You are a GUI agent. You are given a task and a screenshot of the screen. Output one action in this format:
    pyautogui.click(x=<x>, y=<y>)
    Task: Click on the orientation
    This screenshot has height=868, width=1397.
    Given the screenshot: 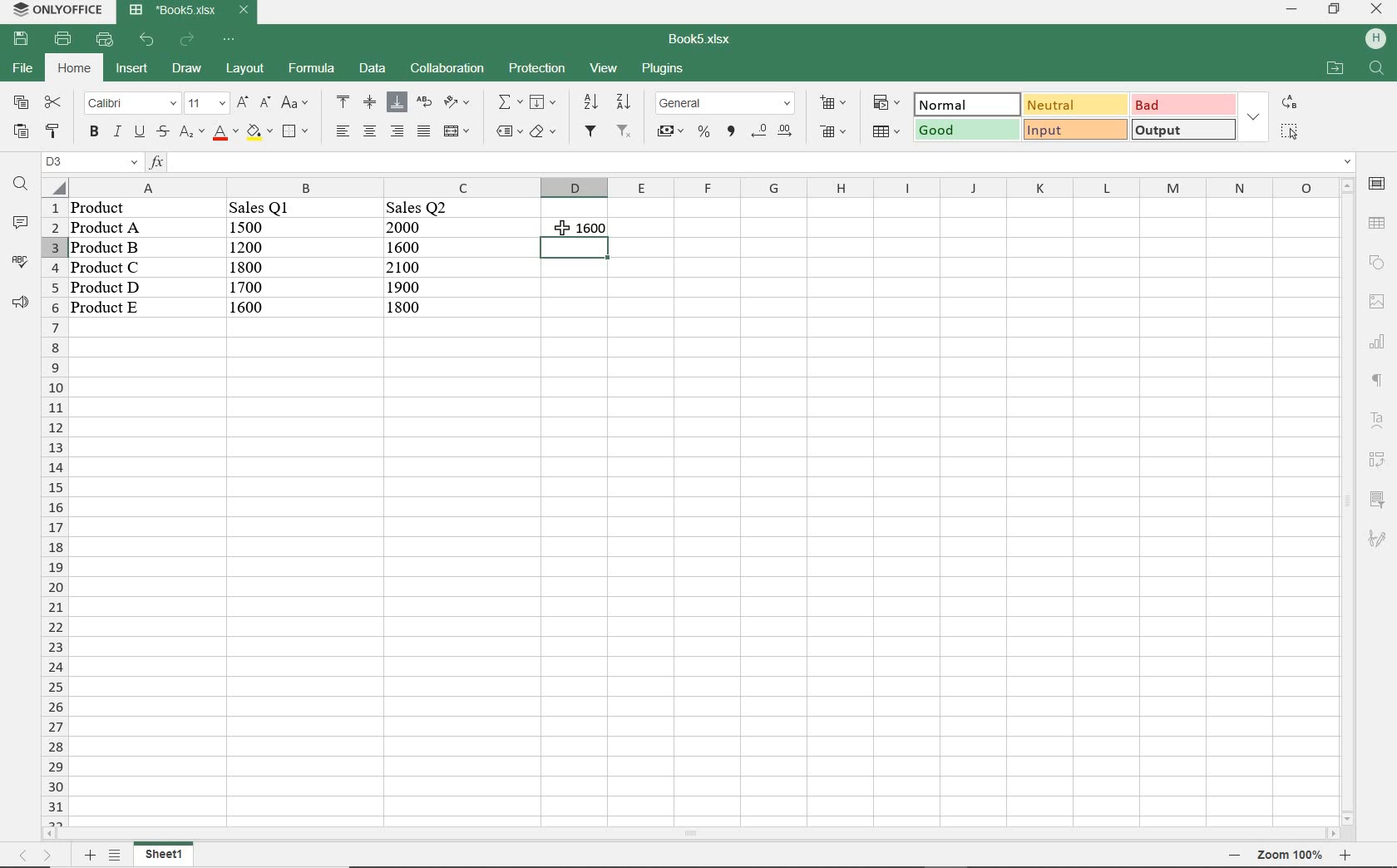 What is the action you would take?
    pyautogui.click(x=455, y=103)
    